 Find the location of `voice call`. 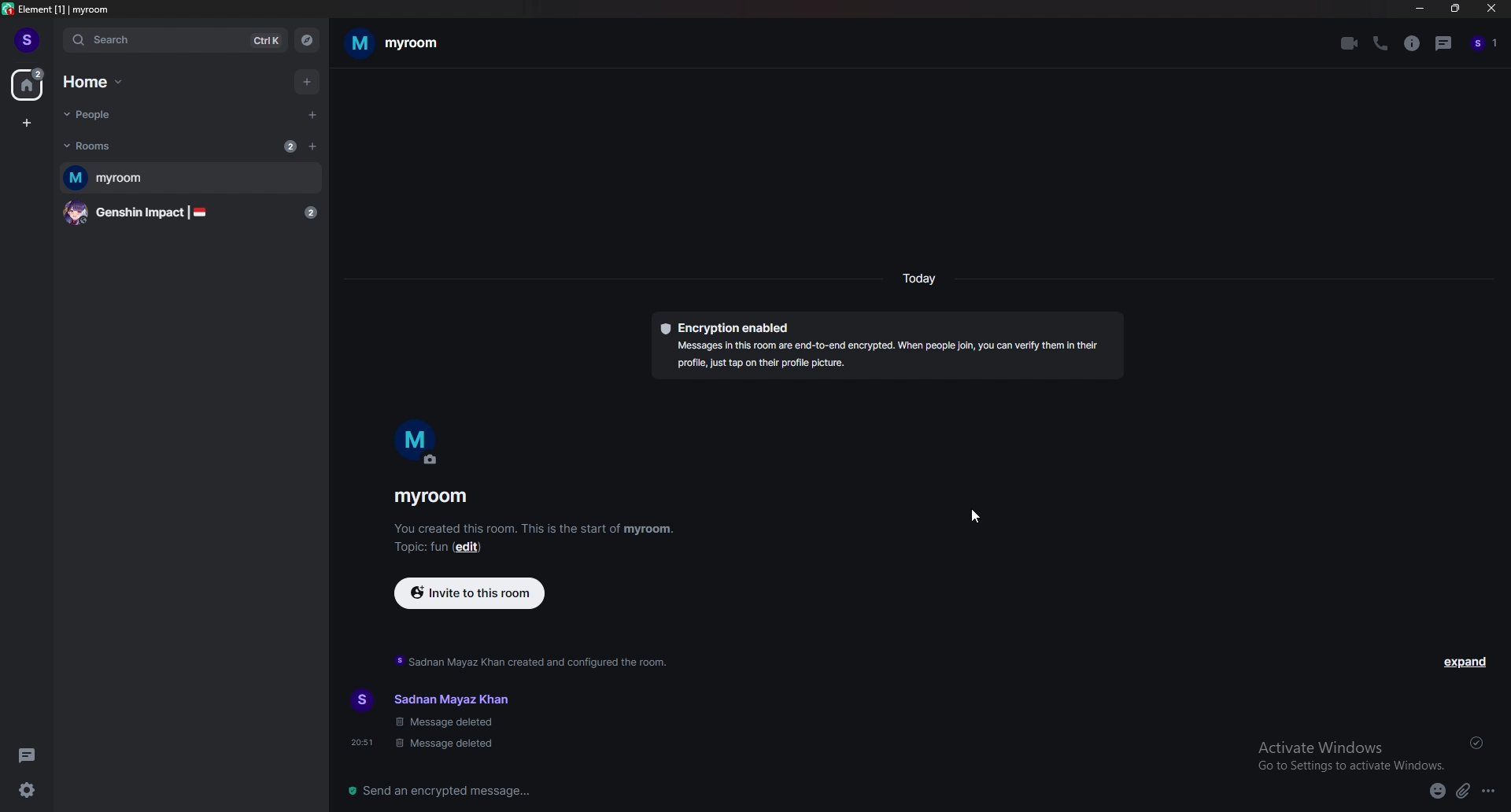

voice call is located at coordinates (1383, 43).